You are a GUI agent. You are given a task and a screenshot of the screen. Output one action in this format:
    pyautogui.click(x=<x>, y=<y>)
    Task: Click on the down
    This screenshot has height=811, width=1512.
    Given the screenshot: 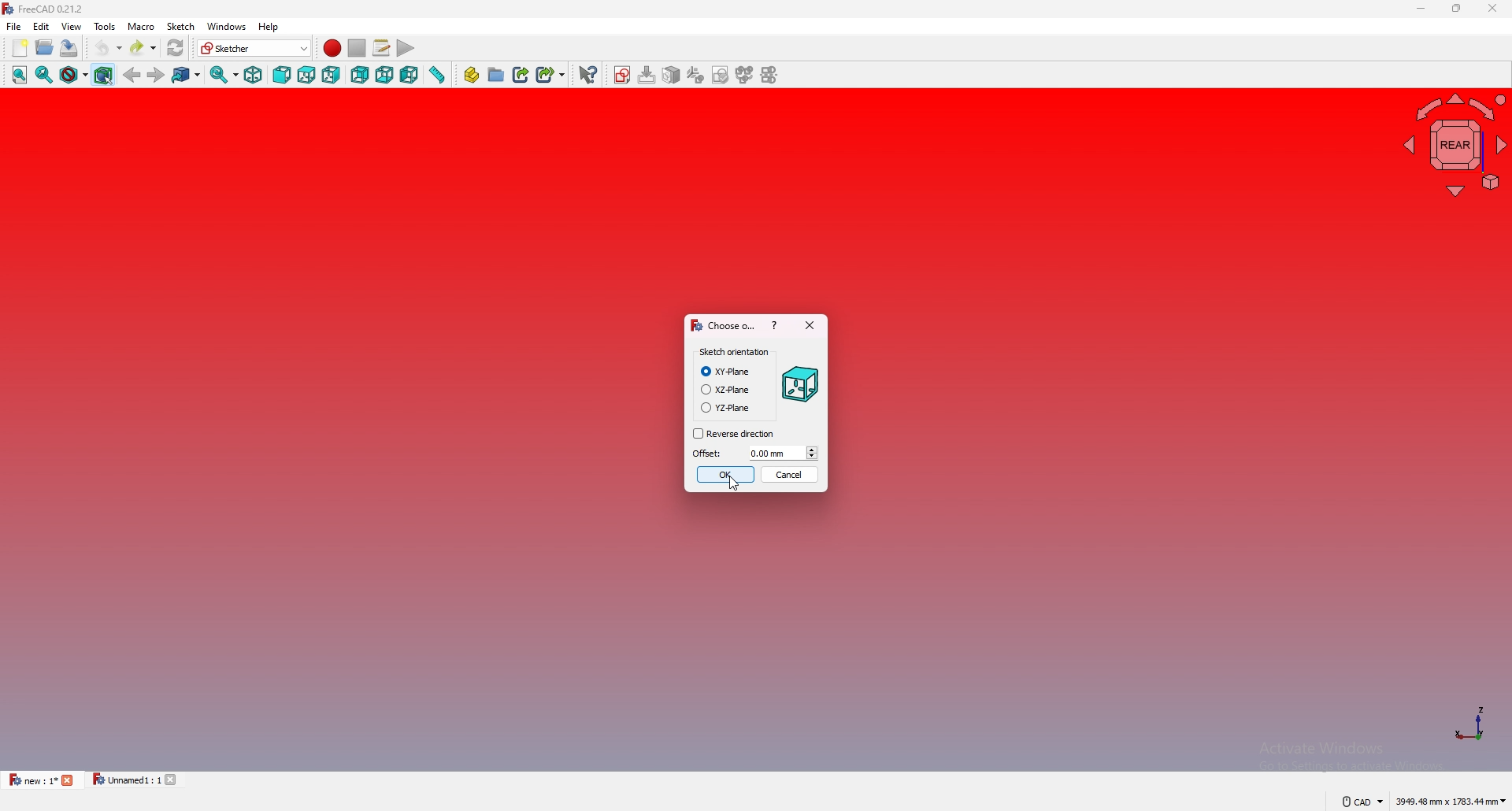 What is the action you would take?
    pyautogui.click(x=814, y=460)
    